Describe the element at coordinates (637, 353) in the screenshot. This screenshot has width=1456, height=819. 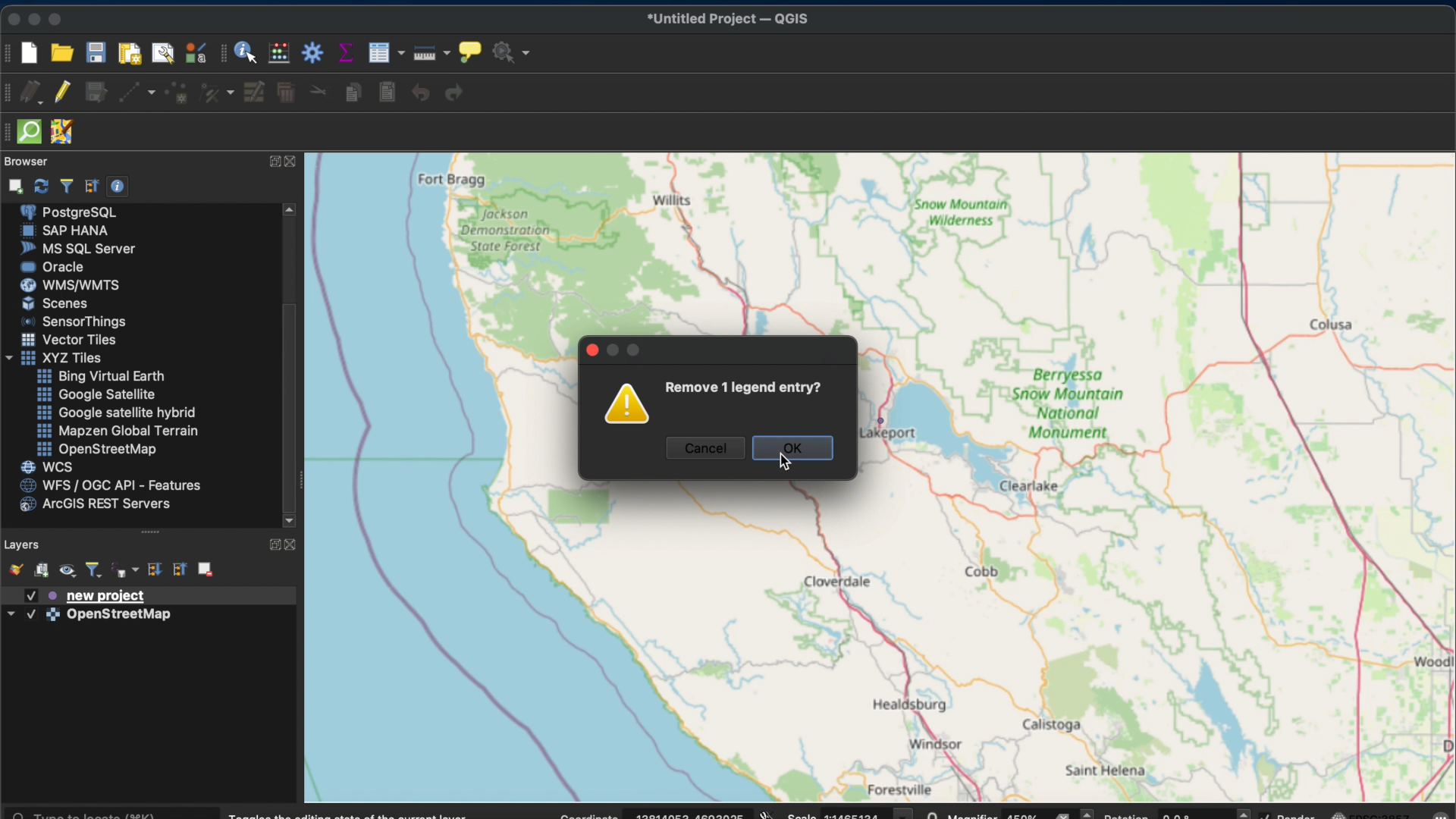
I see `inactive maximize button` at that location.